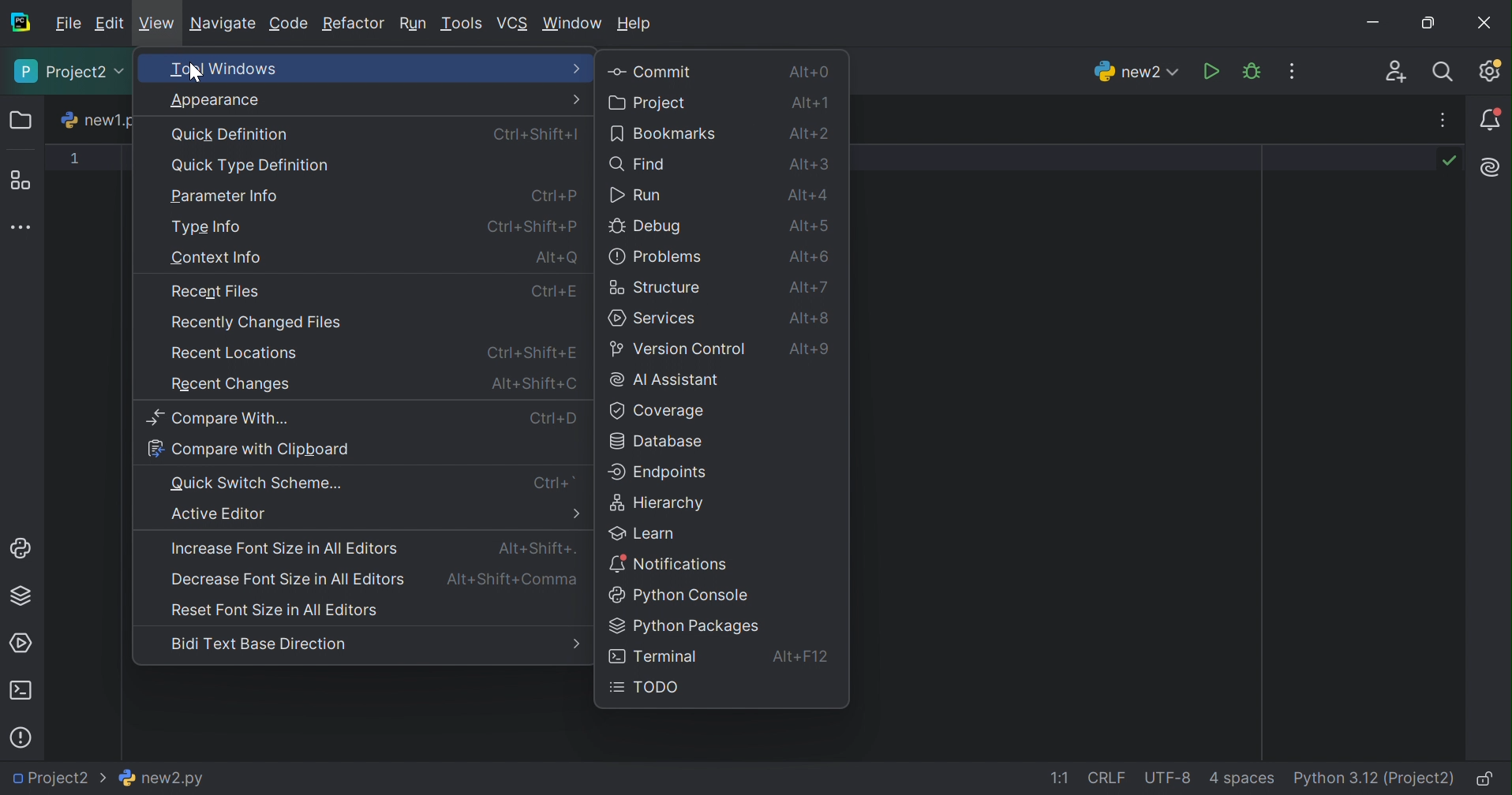 This screenshot has height=795, width=1512. What do you see at coordinates (573, 24) in the screenshot?
I see `Window` at bounding box center [573, 24].